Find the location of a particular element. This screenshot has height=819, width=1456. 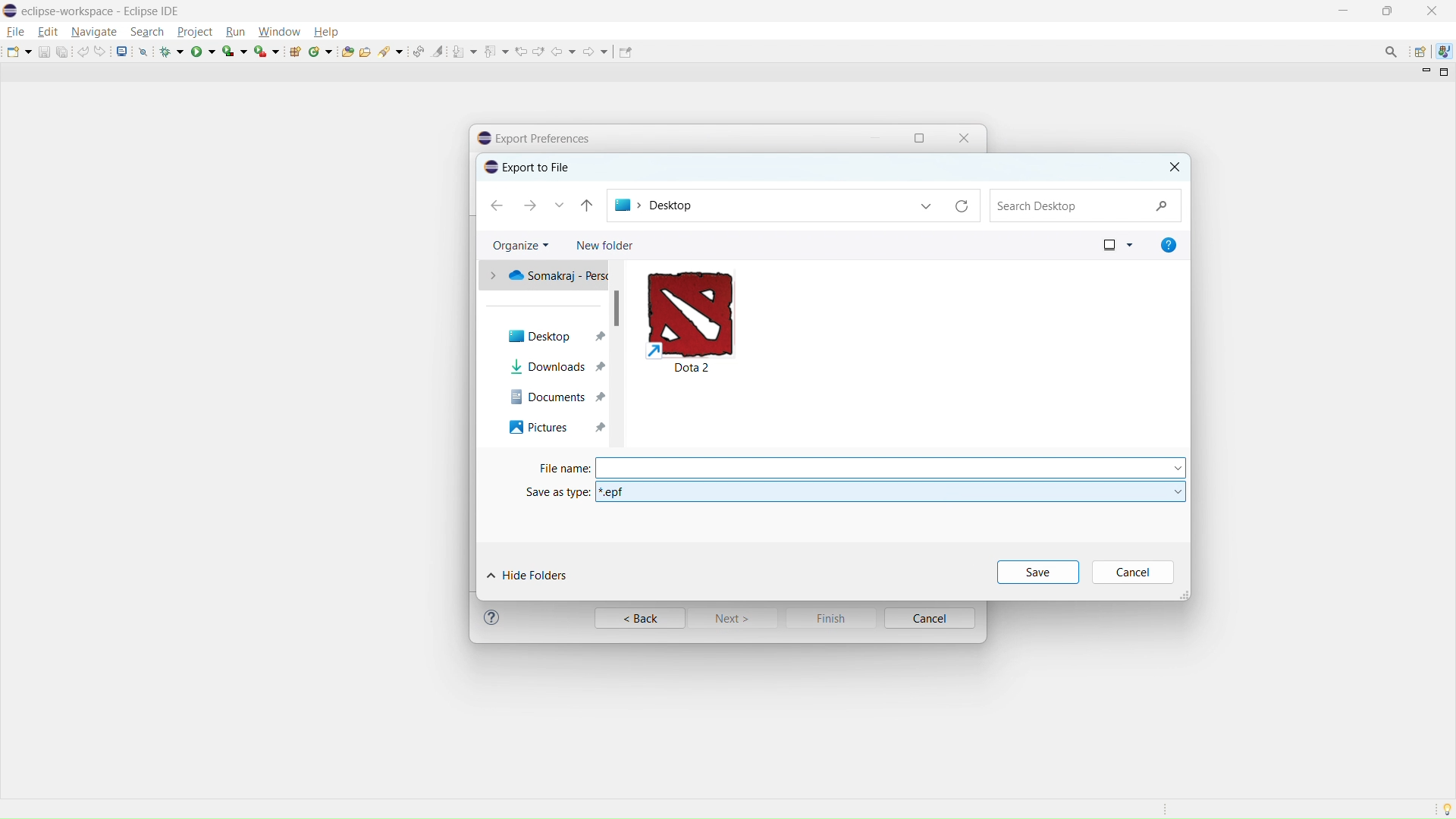

back is located at coordinates (564, 52).